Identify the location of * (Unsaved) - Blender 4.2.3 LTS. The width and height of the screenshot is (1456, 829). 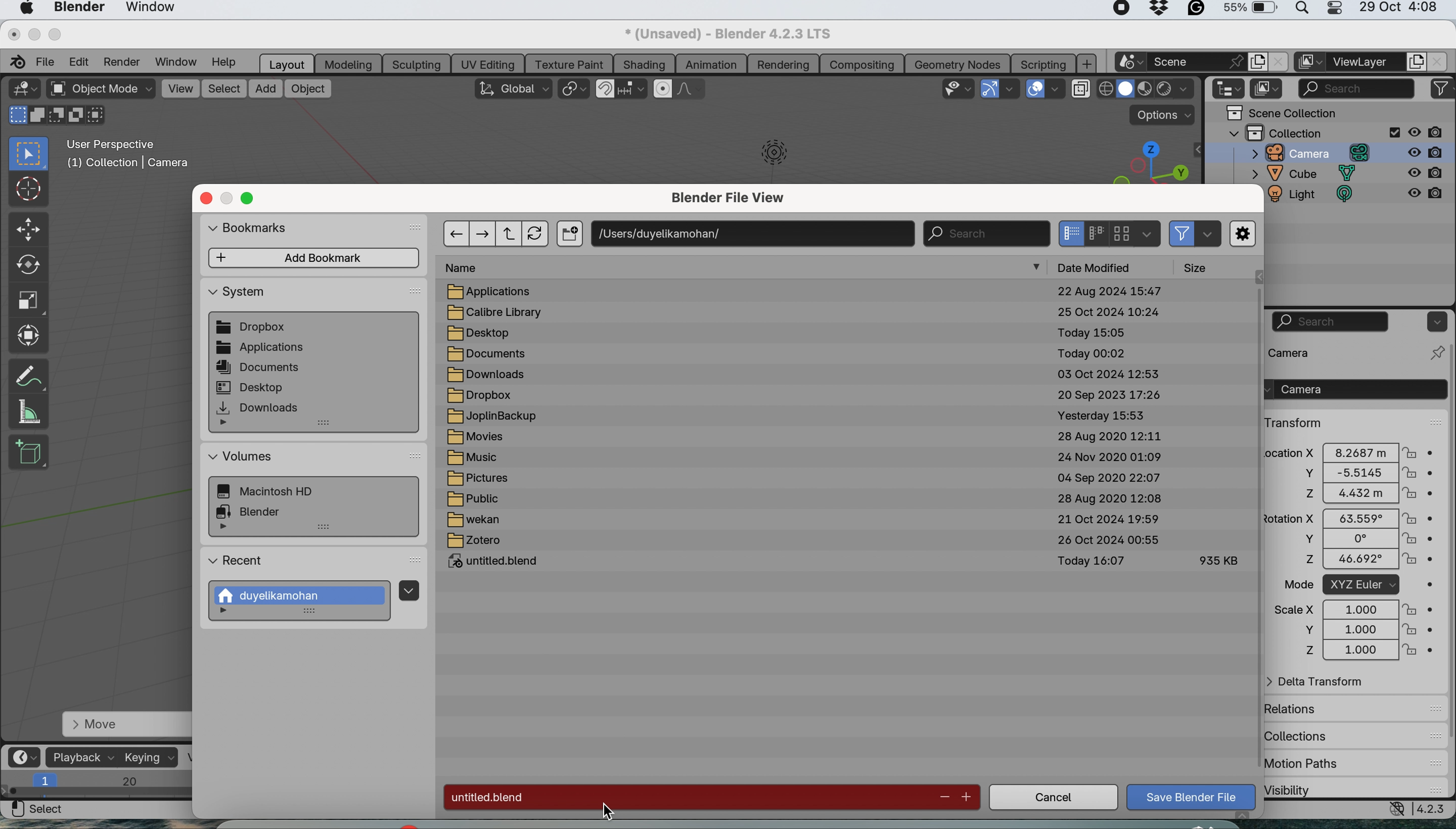
(725, 34).